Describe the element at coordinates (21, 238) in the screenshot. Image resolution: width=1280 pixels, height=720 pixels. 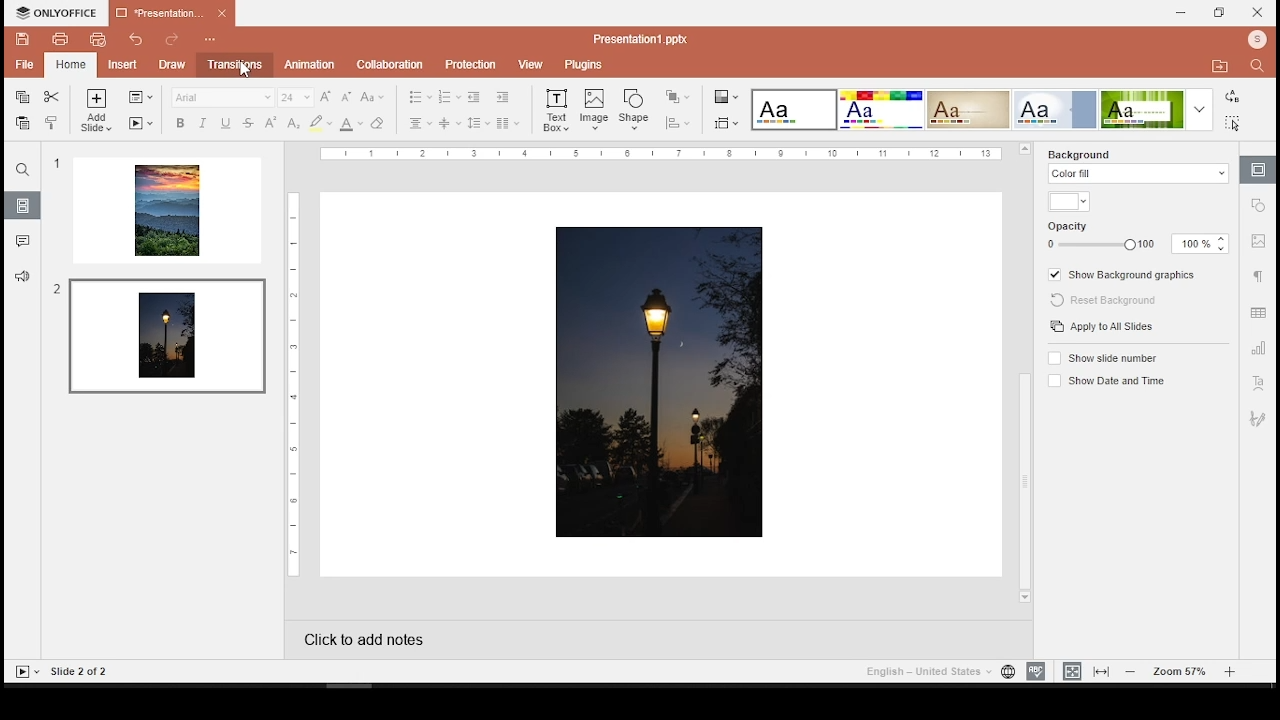
I see `comments` at that location.